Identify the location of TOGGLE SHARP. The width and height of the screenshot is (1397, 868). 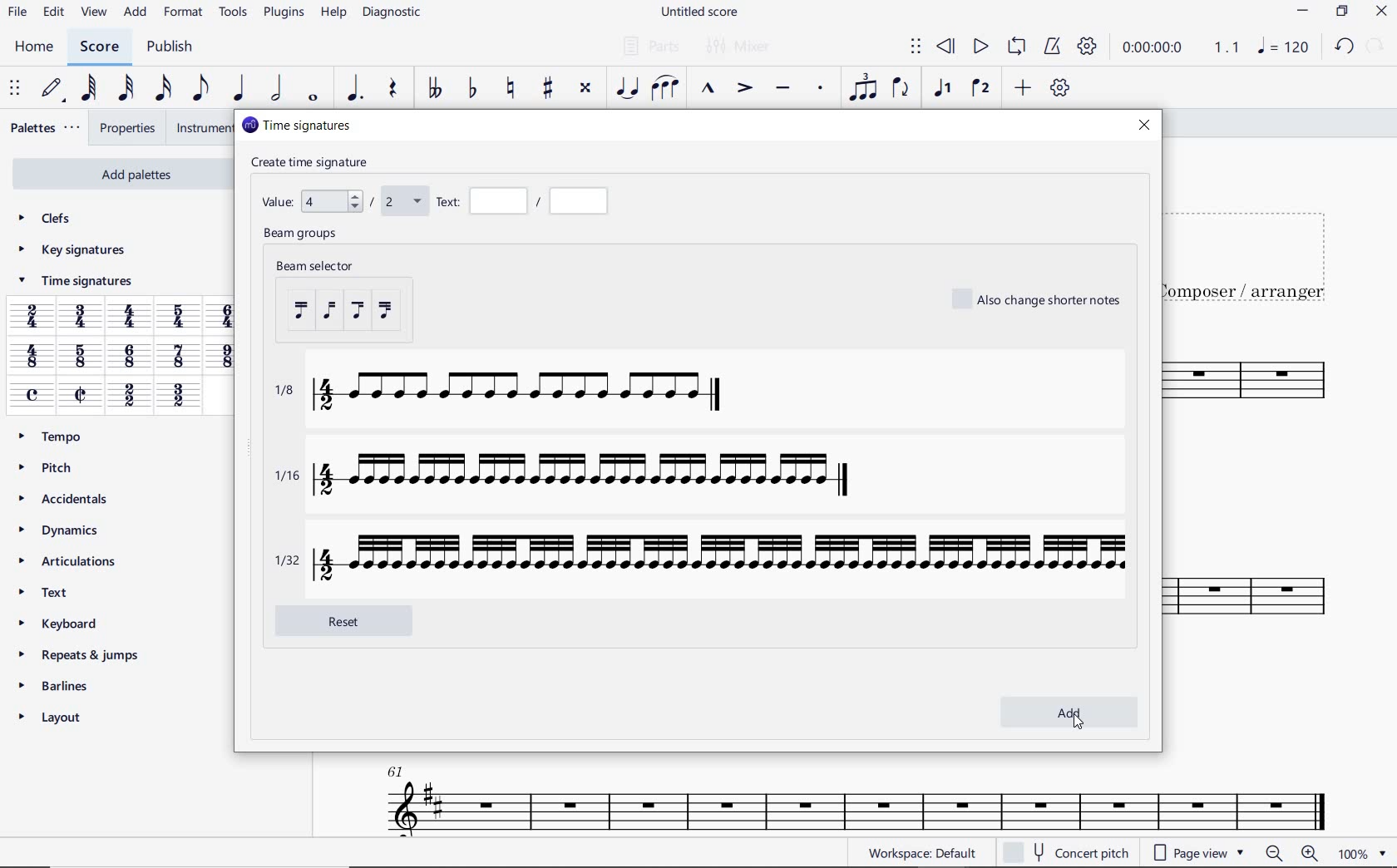
(545, 90).